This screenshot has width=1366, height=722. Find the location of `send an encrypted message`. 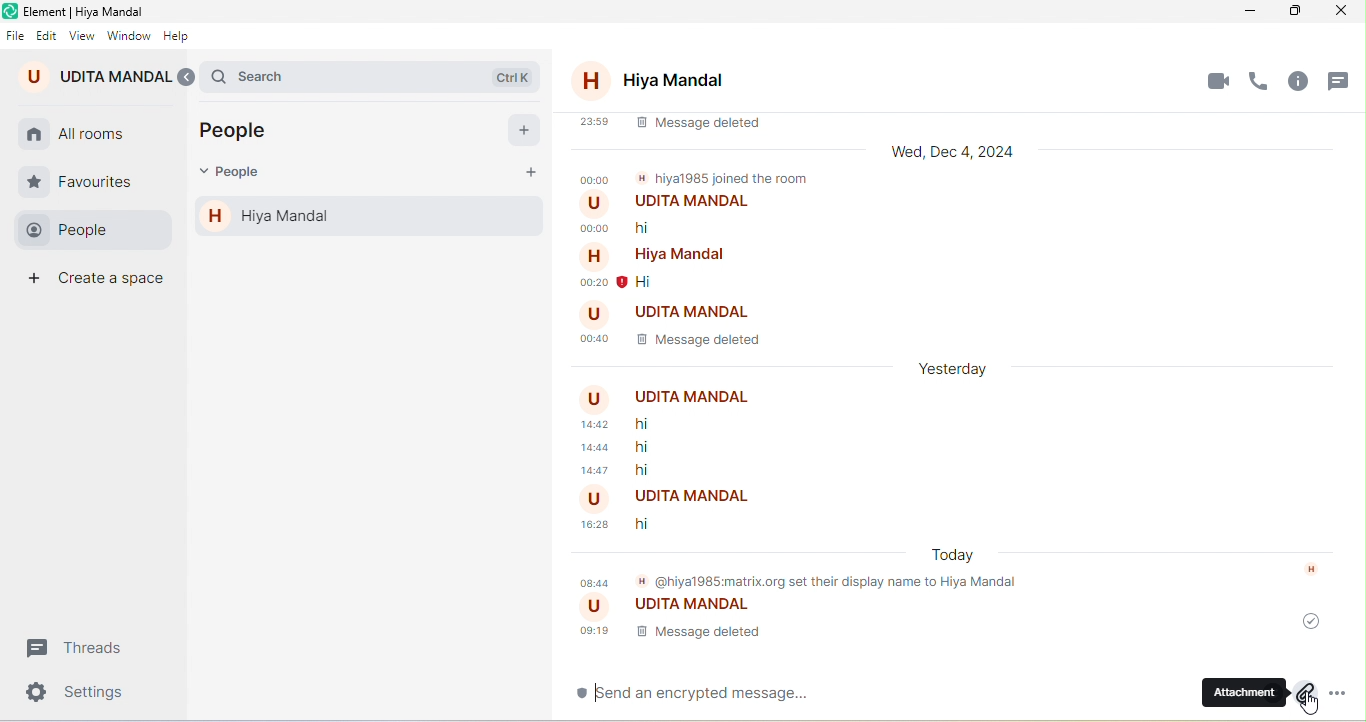

send an encrypted message is located at coordinates (699, 695).